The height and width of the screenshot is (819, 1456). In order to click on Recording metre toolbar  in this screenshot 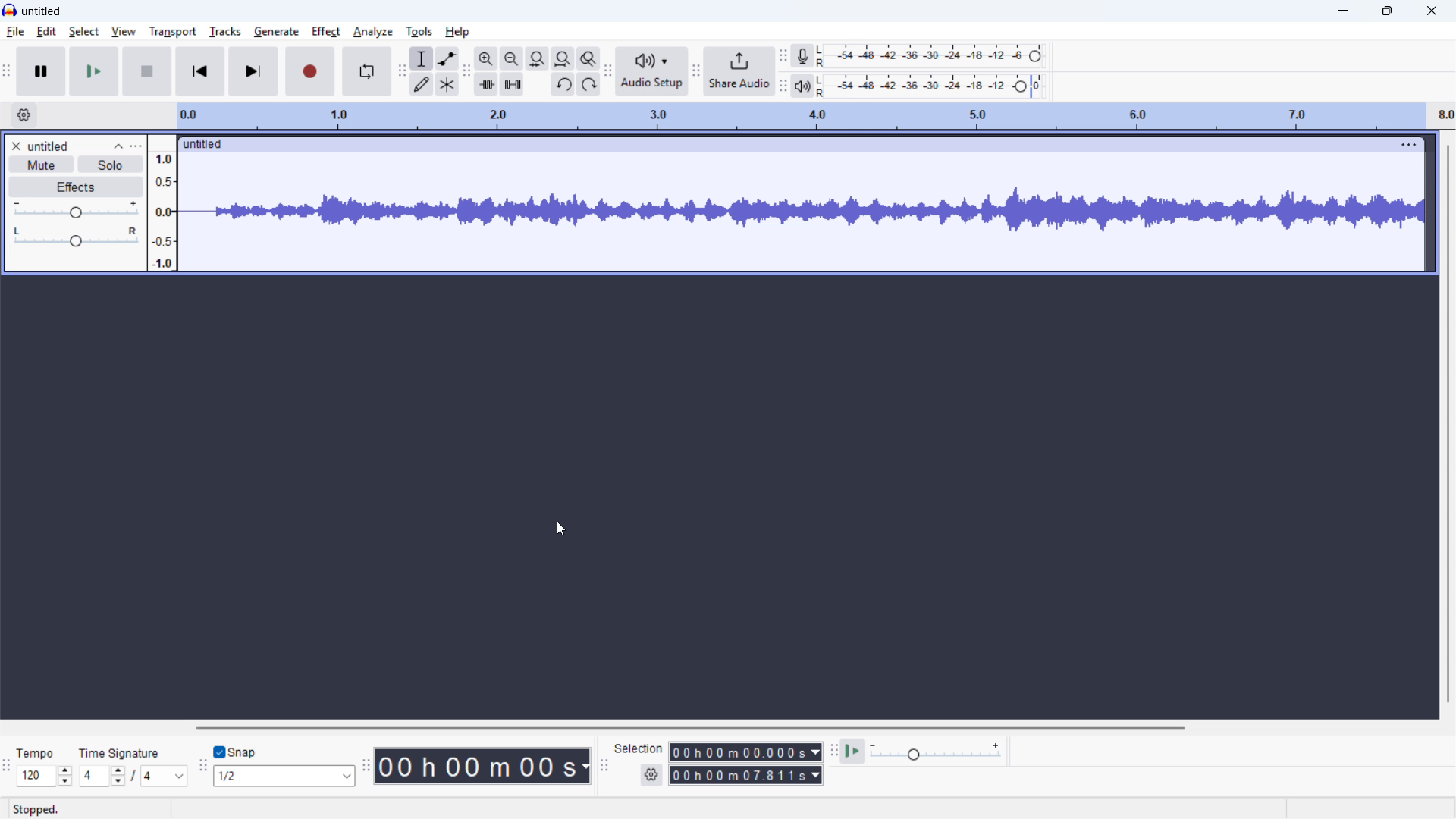, I will do `click(783, 55)`.